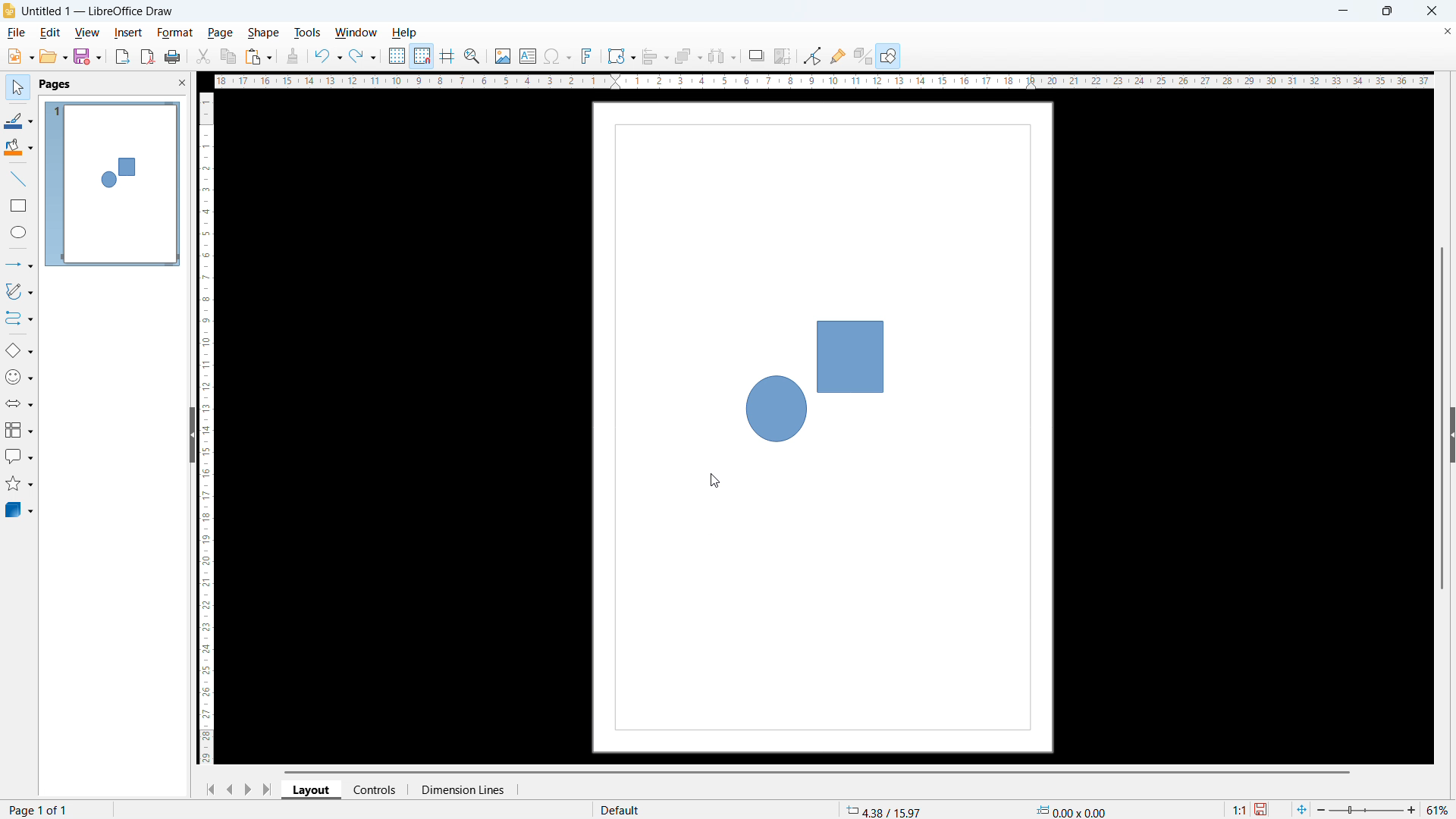 This screenshot has width=1456, height=819. I want to click on logo, so click(9, 11).